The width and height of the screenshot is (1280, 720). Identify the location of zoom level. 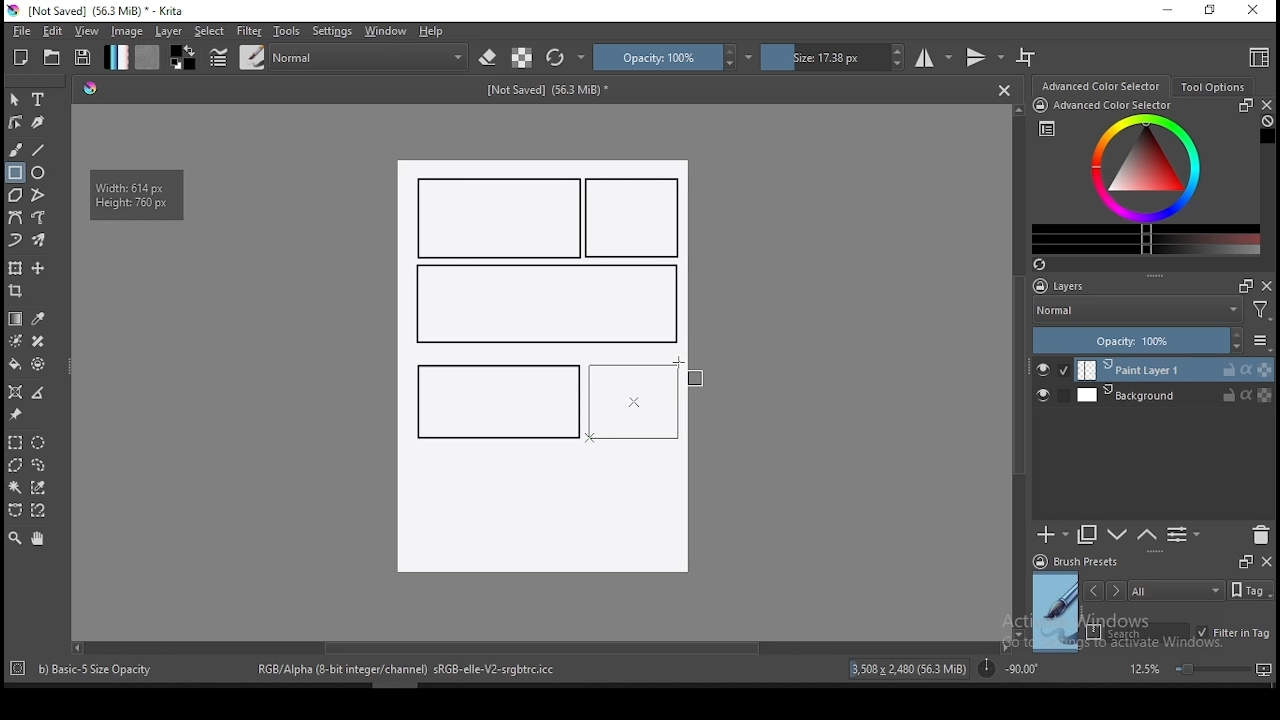
(1200, 668).